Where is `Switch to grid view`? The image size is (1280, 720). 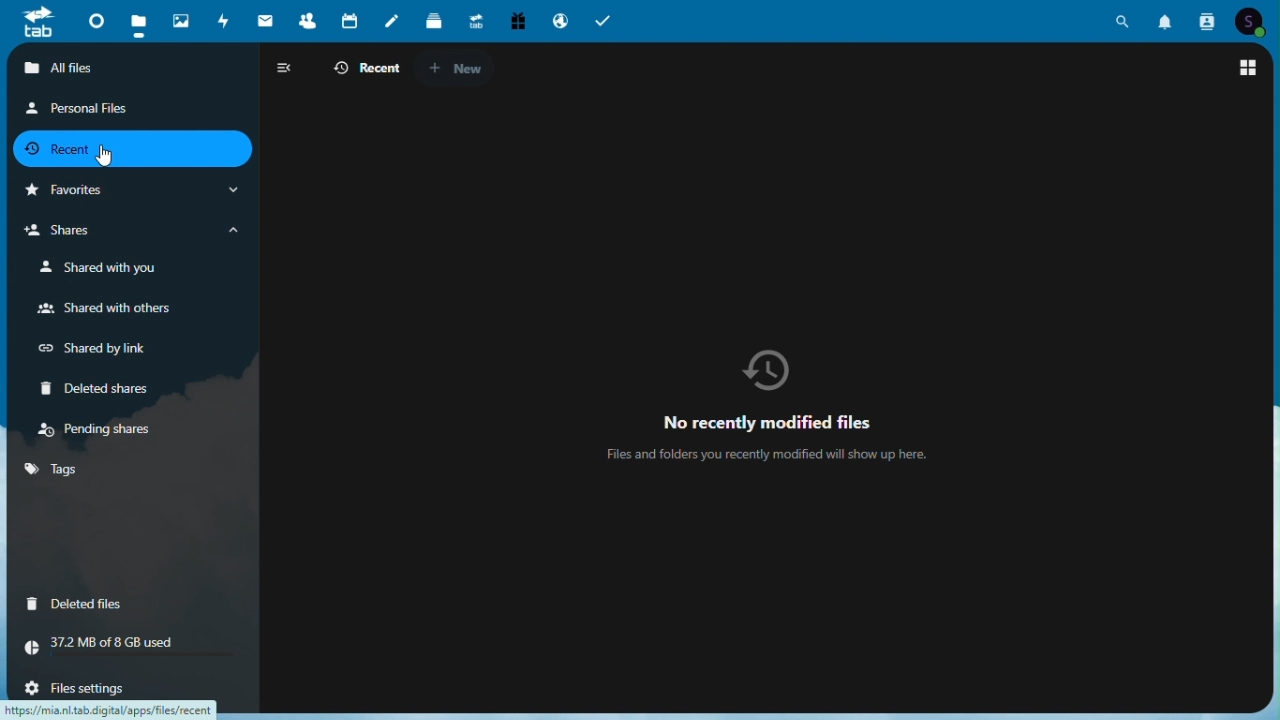
Switch to grid view is located at coordinates (1247, 70).